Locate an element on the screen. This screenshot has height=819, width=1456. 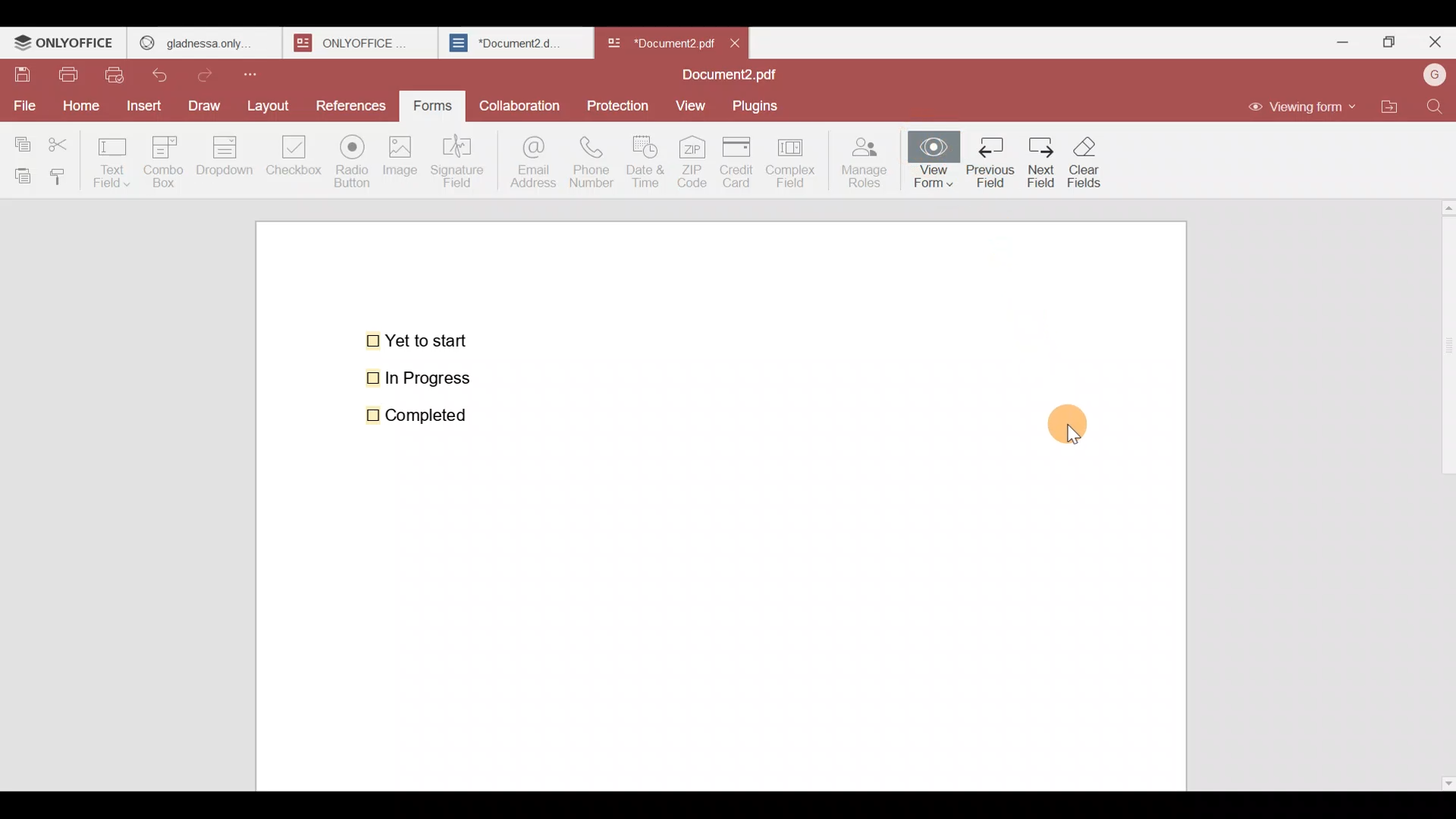
Radio is located at coordinates (347, 165).